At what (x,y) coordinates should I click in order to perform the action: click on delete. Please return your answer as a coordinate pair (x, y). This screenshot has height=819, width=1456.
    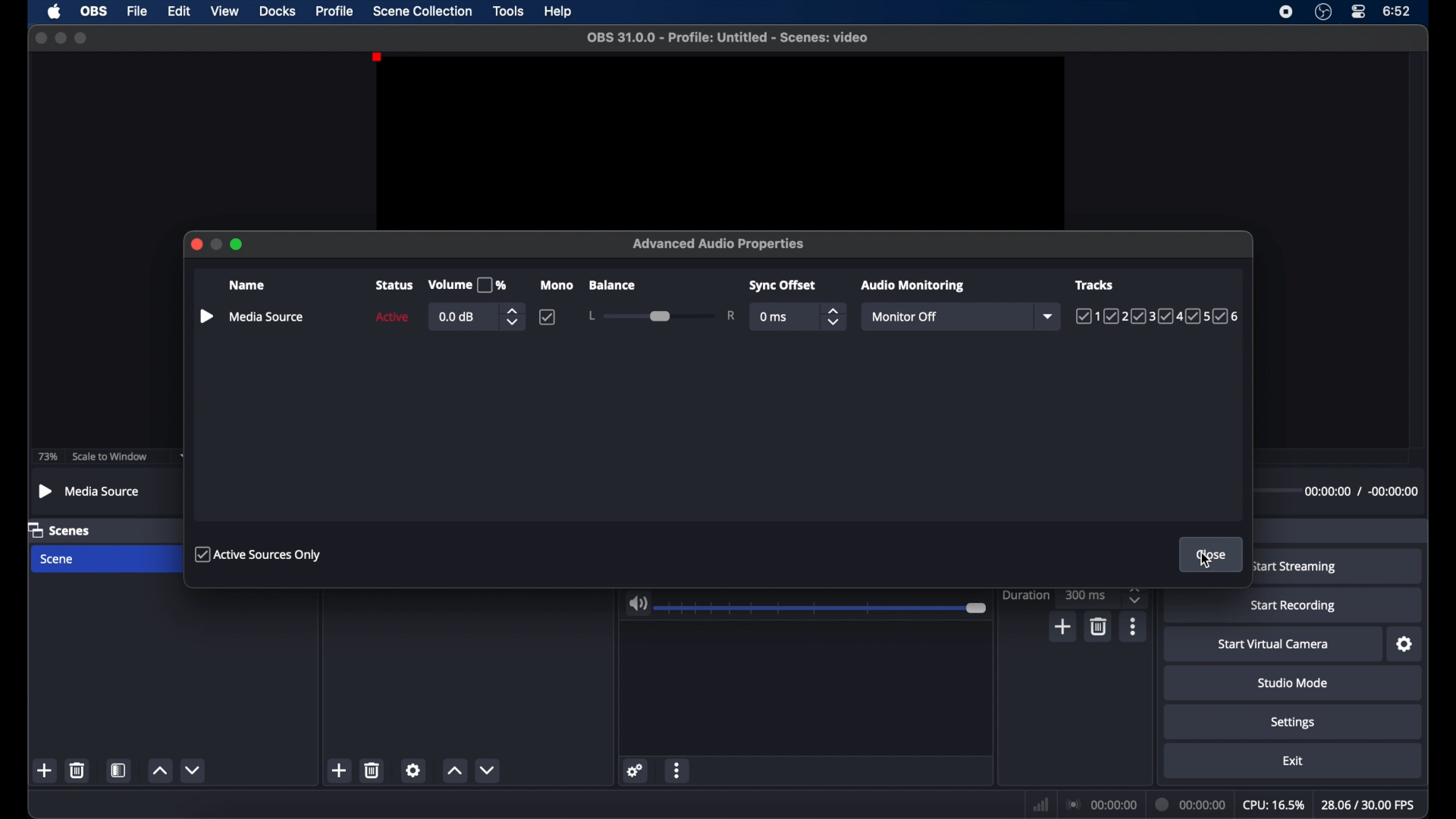
    Looking at the image, I should click on (372, 770).